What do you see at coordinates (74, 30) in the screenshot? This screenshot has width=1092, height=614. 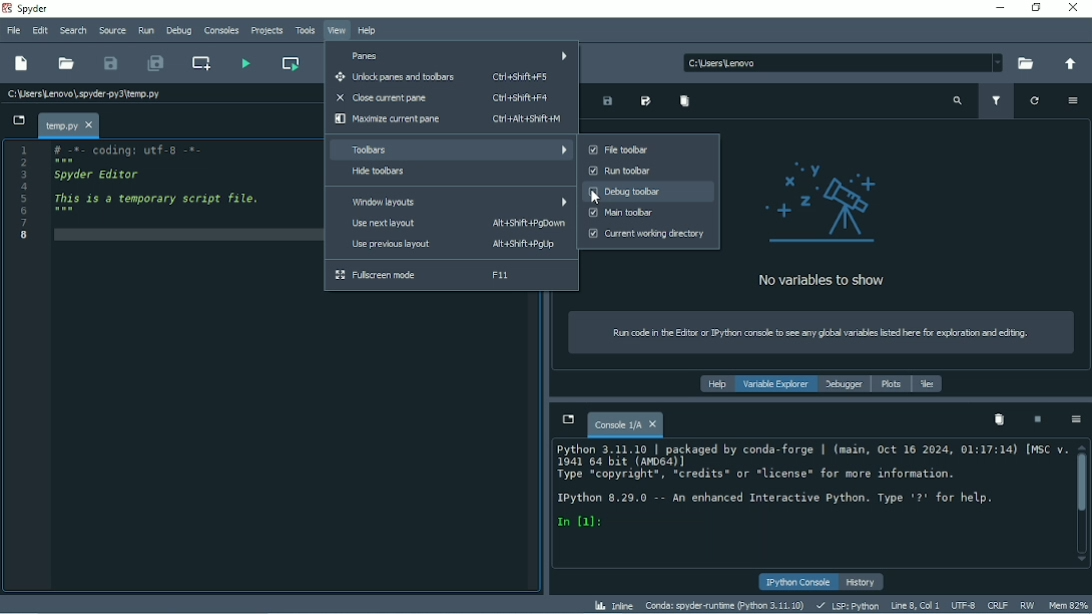 I see `Search` at bounding box center [74, 30].